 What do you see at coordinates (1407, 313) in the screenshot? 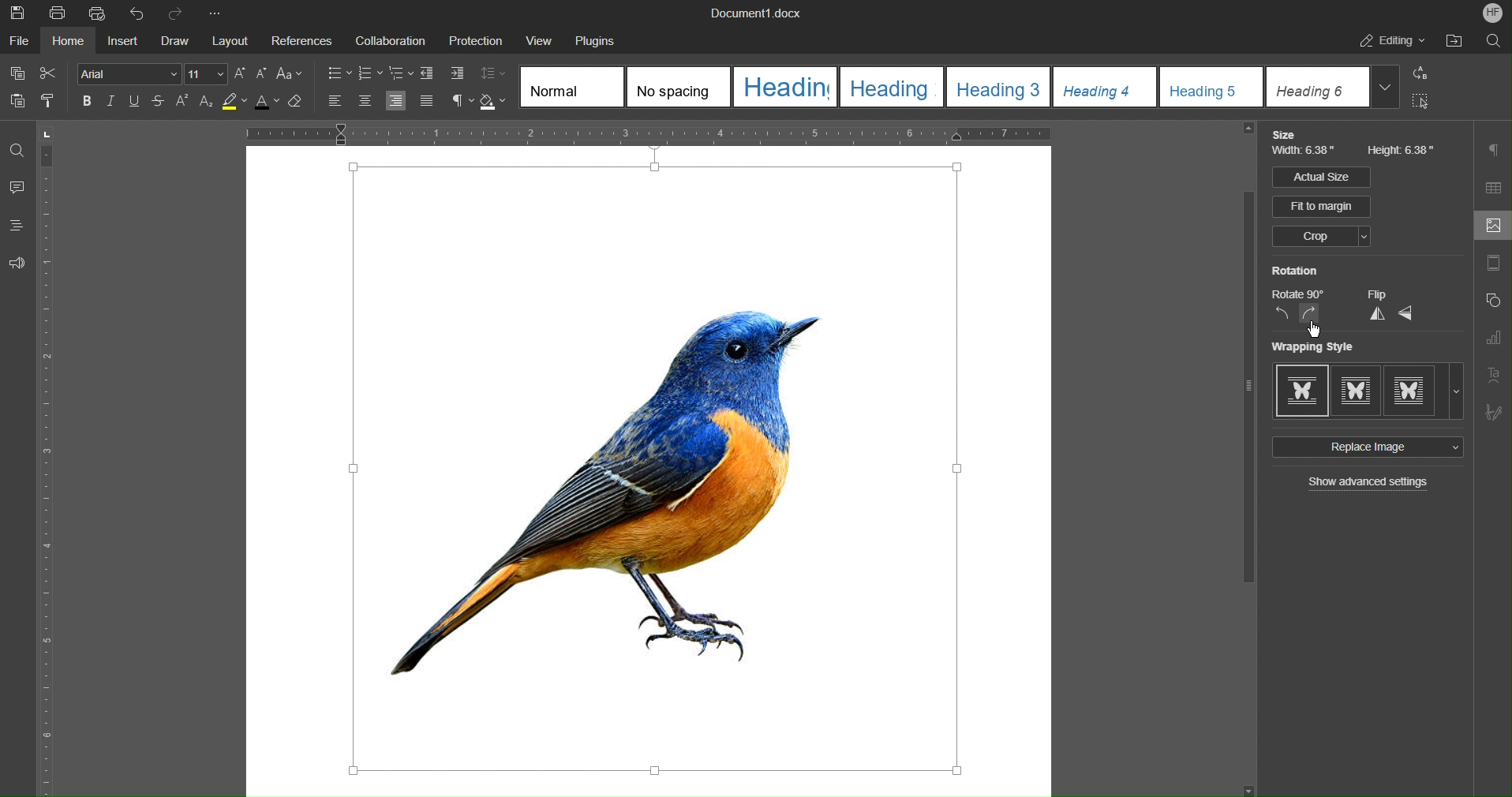
I see `Flip Horizontally` at bounding box center [1407, 313].